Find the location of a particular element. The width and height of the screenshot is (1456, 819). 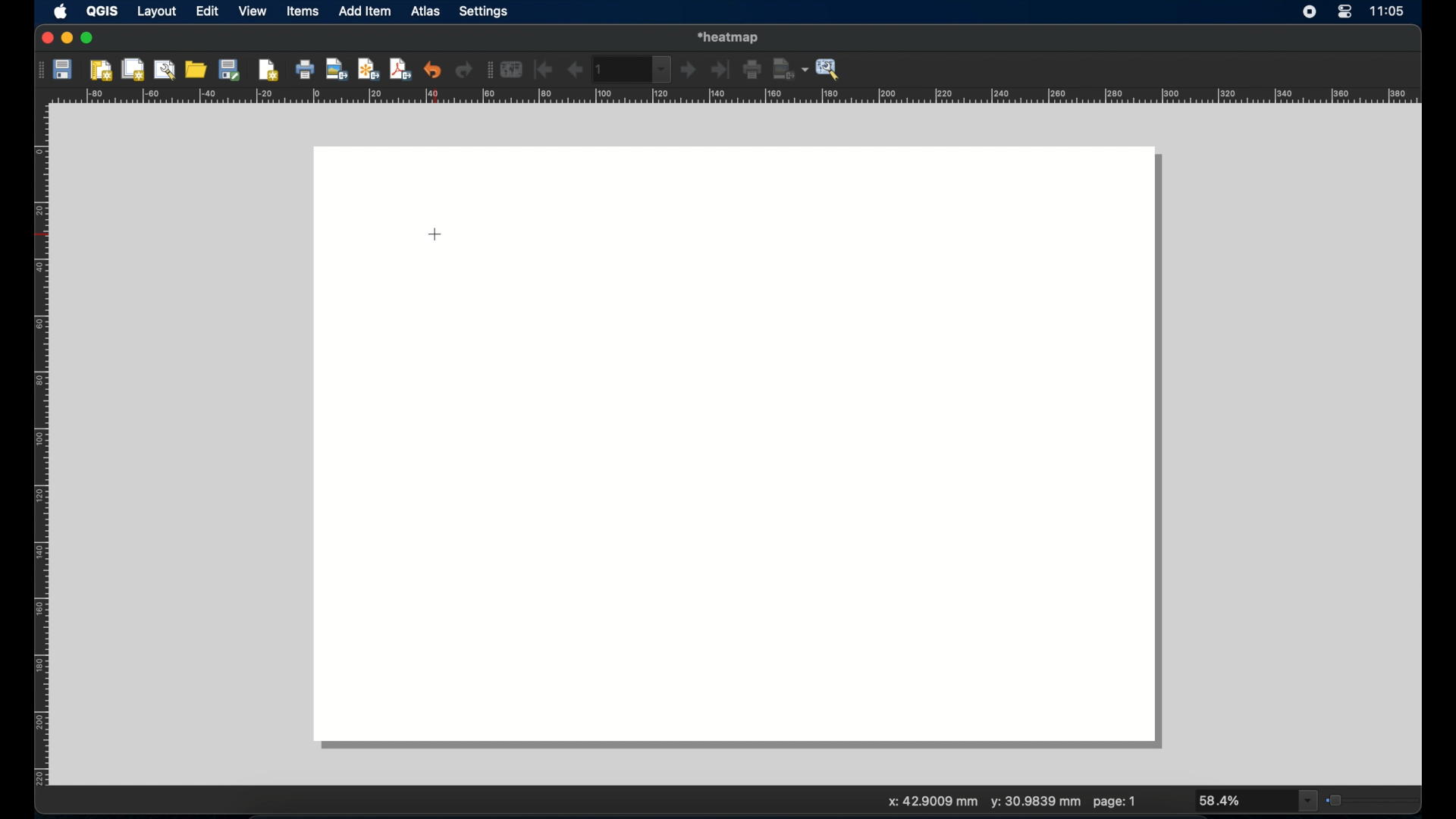

atlas settings is located at coordinates (829, 70).